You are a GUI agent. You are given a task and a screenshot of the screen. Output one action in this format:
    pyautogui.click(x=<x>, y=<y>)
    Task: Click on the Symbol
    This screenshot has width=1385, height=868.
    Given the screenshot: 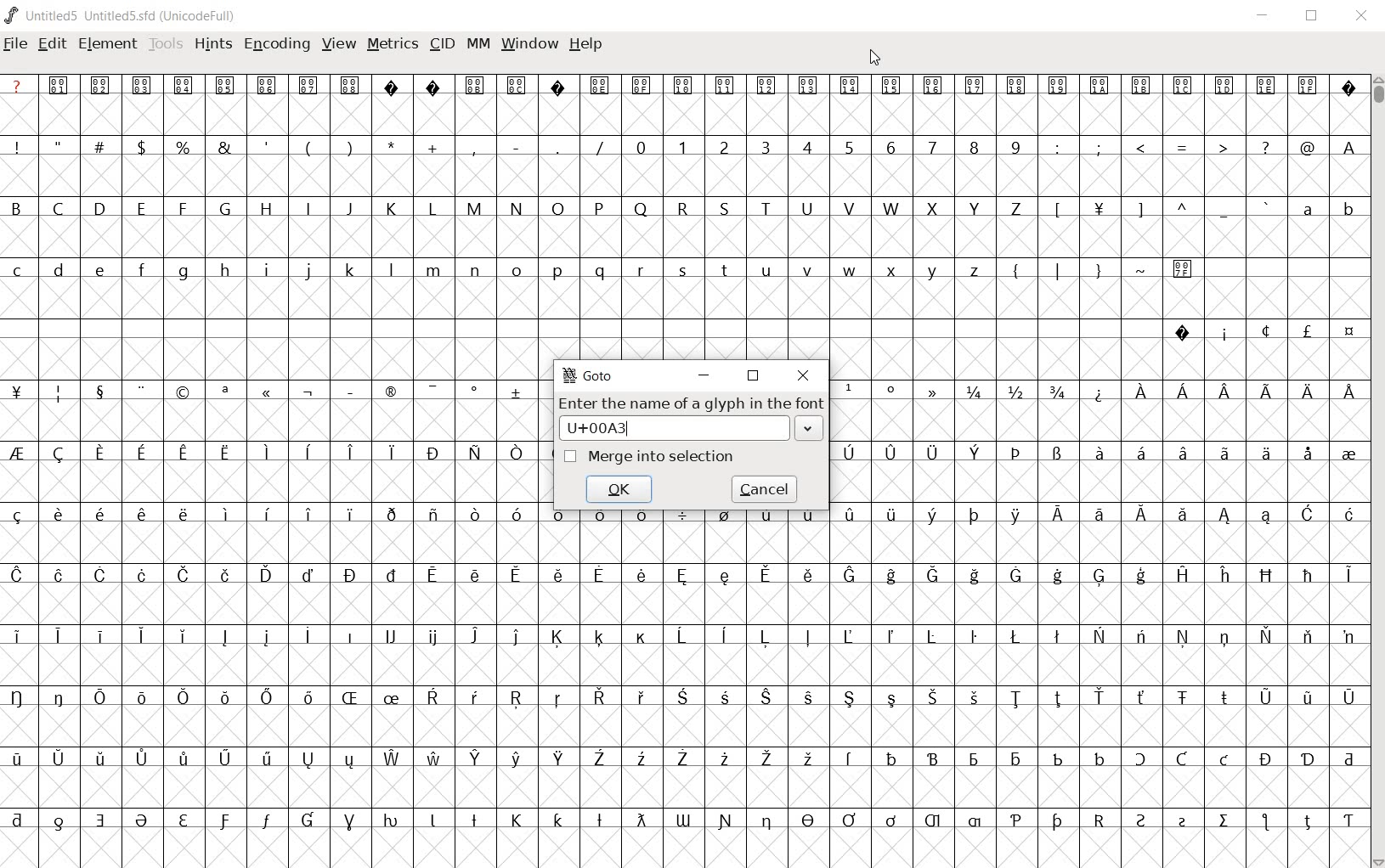 What is the action you would take?
    pyautogui.click(x=140, y=696)
    